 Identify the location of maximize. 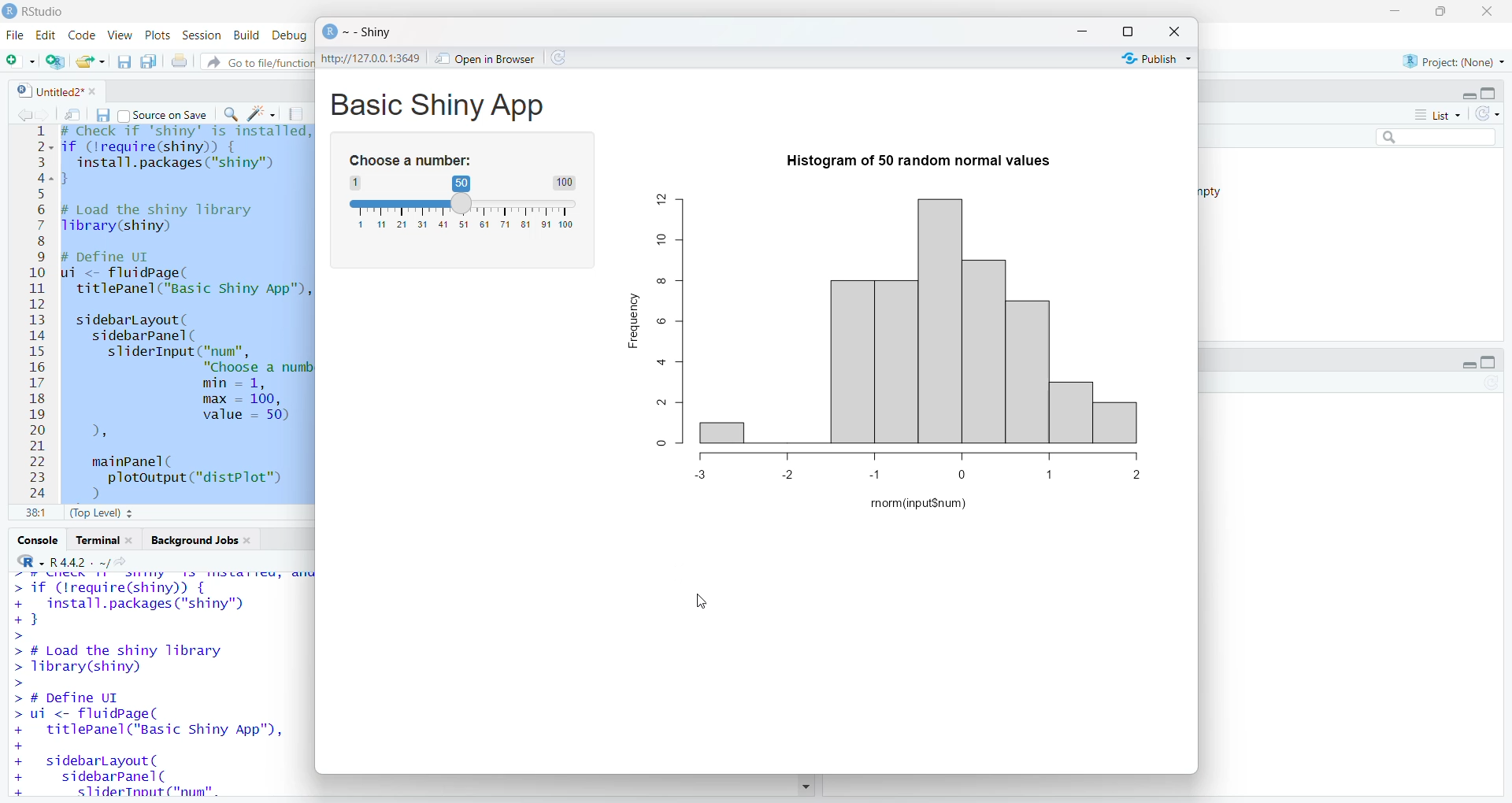
(1490, 93).